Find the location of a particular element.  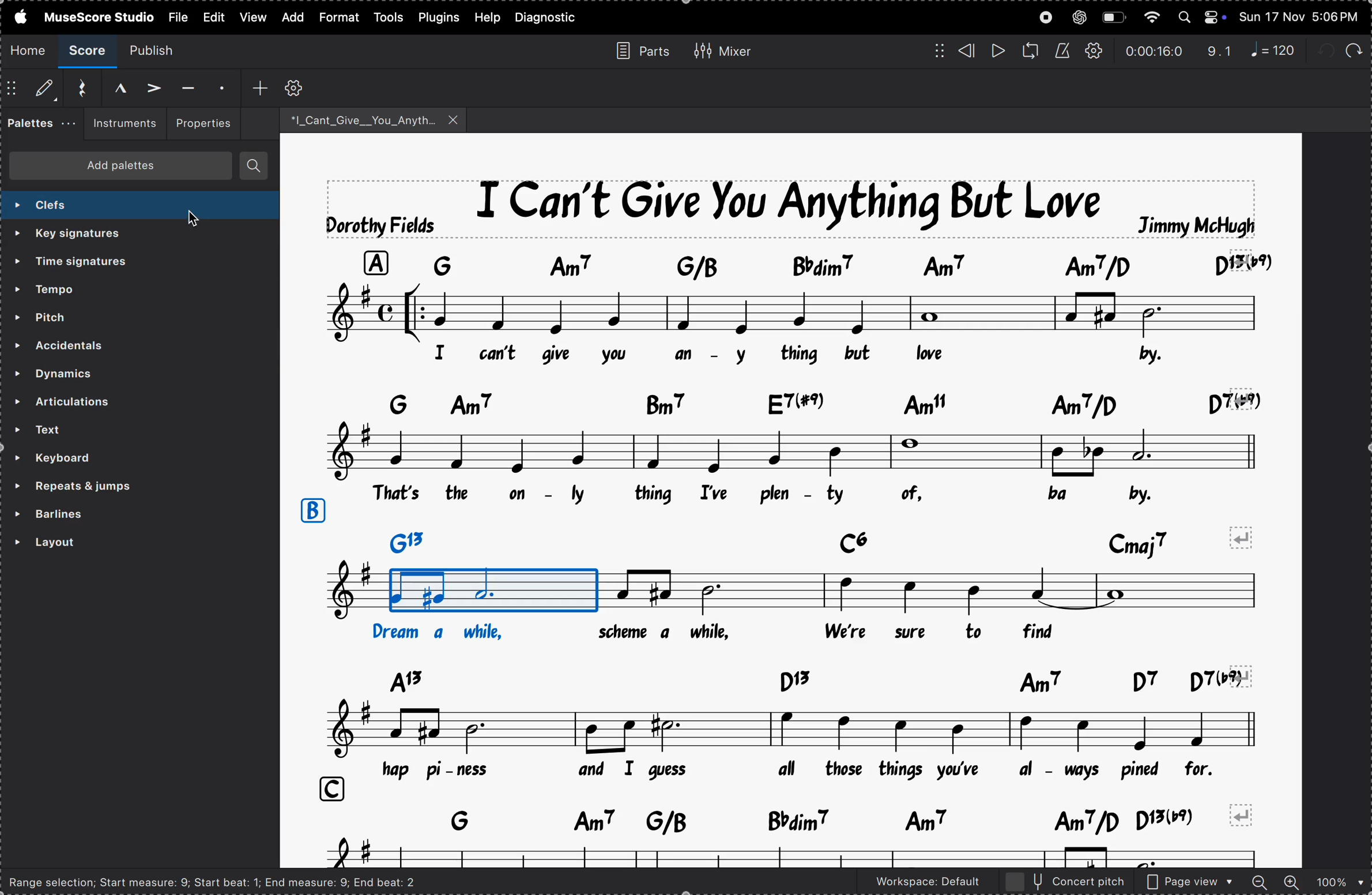

help is located at coordinates (487, 17).